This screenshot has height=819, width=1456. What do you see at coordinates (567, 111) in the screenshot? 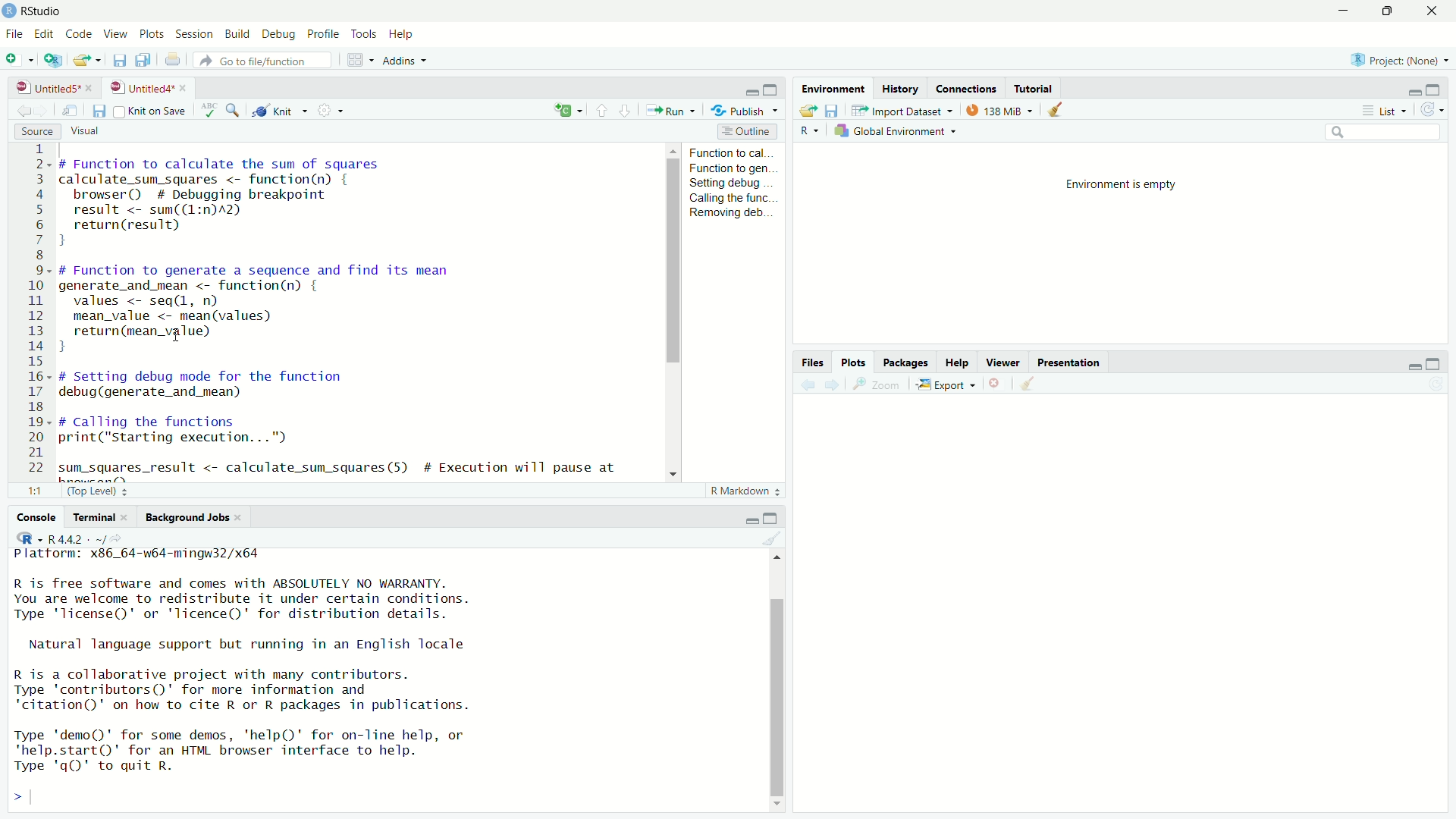
I see `c+` at bounding box center [567, 111].